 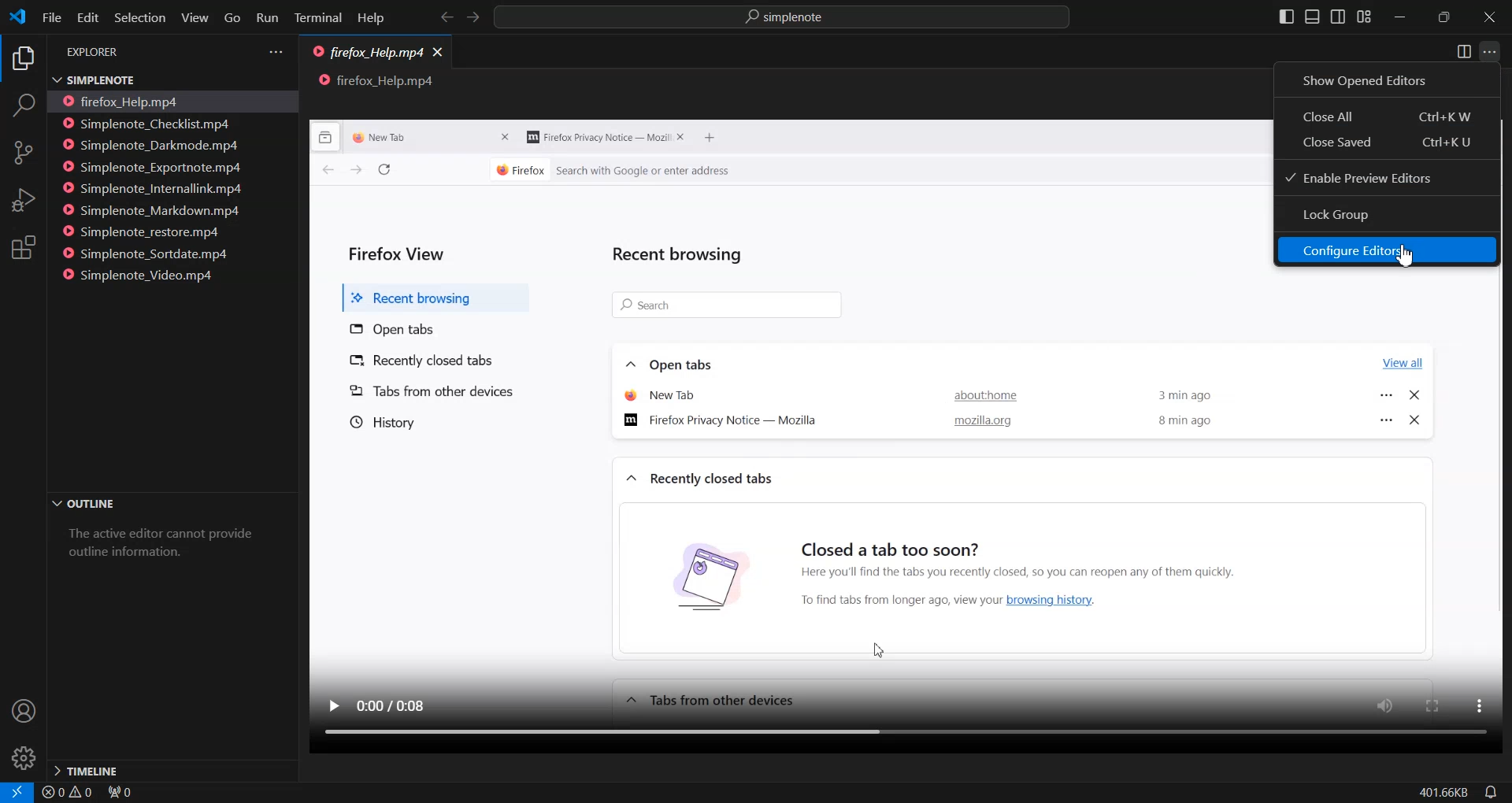 I want to click on Search with Google or enter address., so click(x=758, y=171).